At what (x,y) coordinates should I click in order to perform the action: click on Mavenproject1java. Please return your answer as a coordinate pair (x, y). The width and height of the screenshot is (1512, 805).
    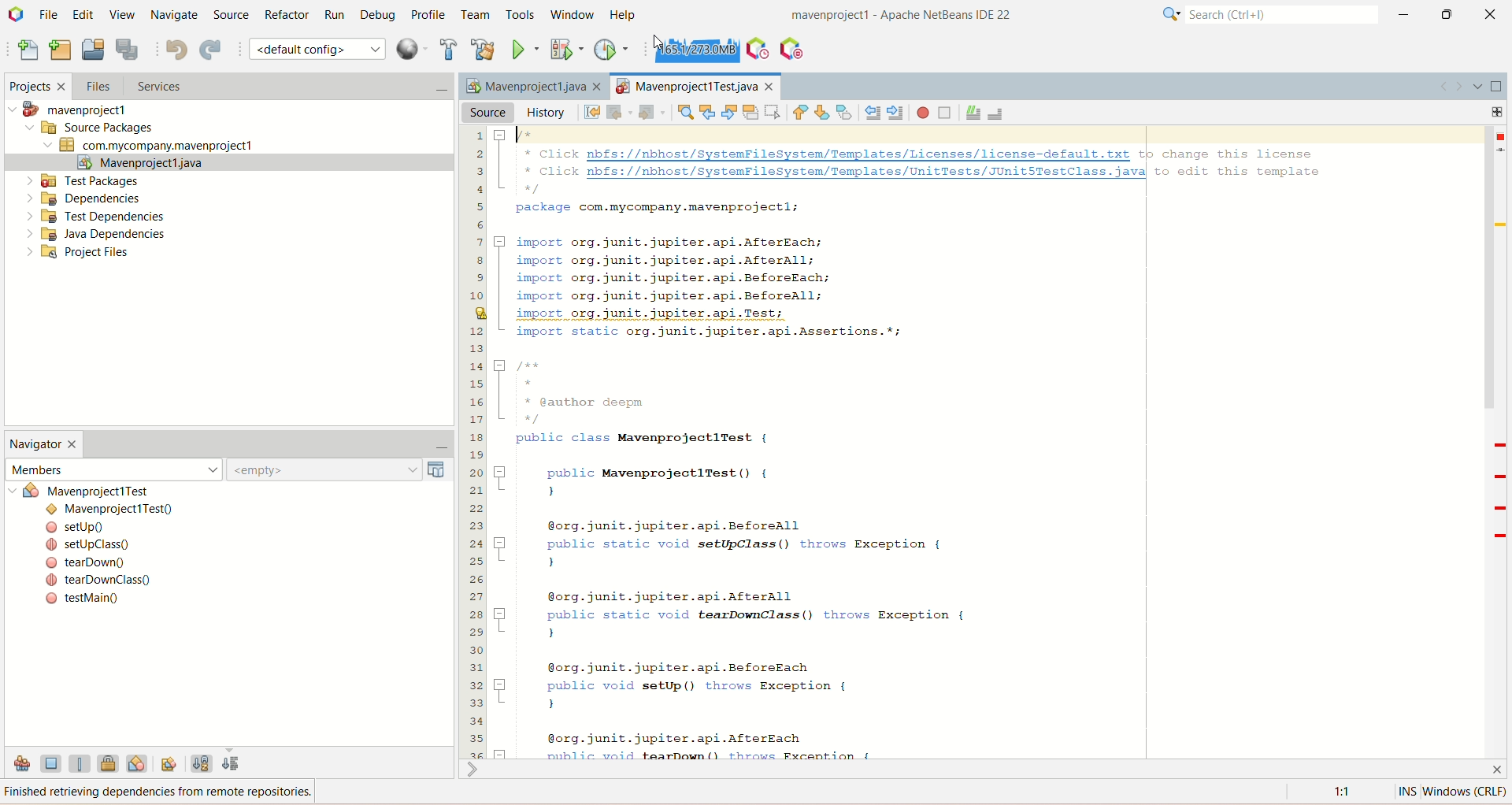
    Looking at the image, I should click on (531, 87).